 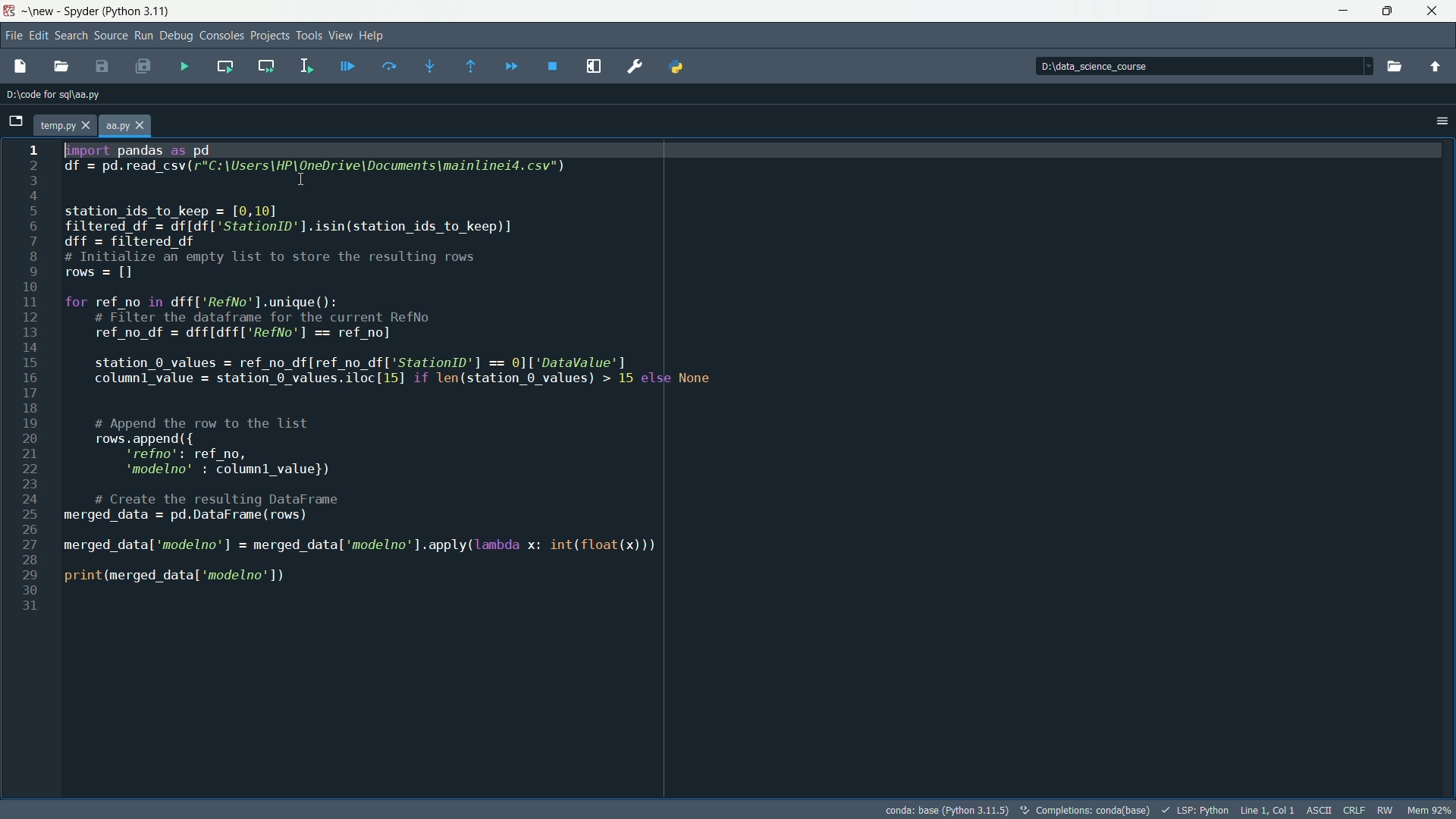 I want to click on debug file, so click(x=348, y=67).